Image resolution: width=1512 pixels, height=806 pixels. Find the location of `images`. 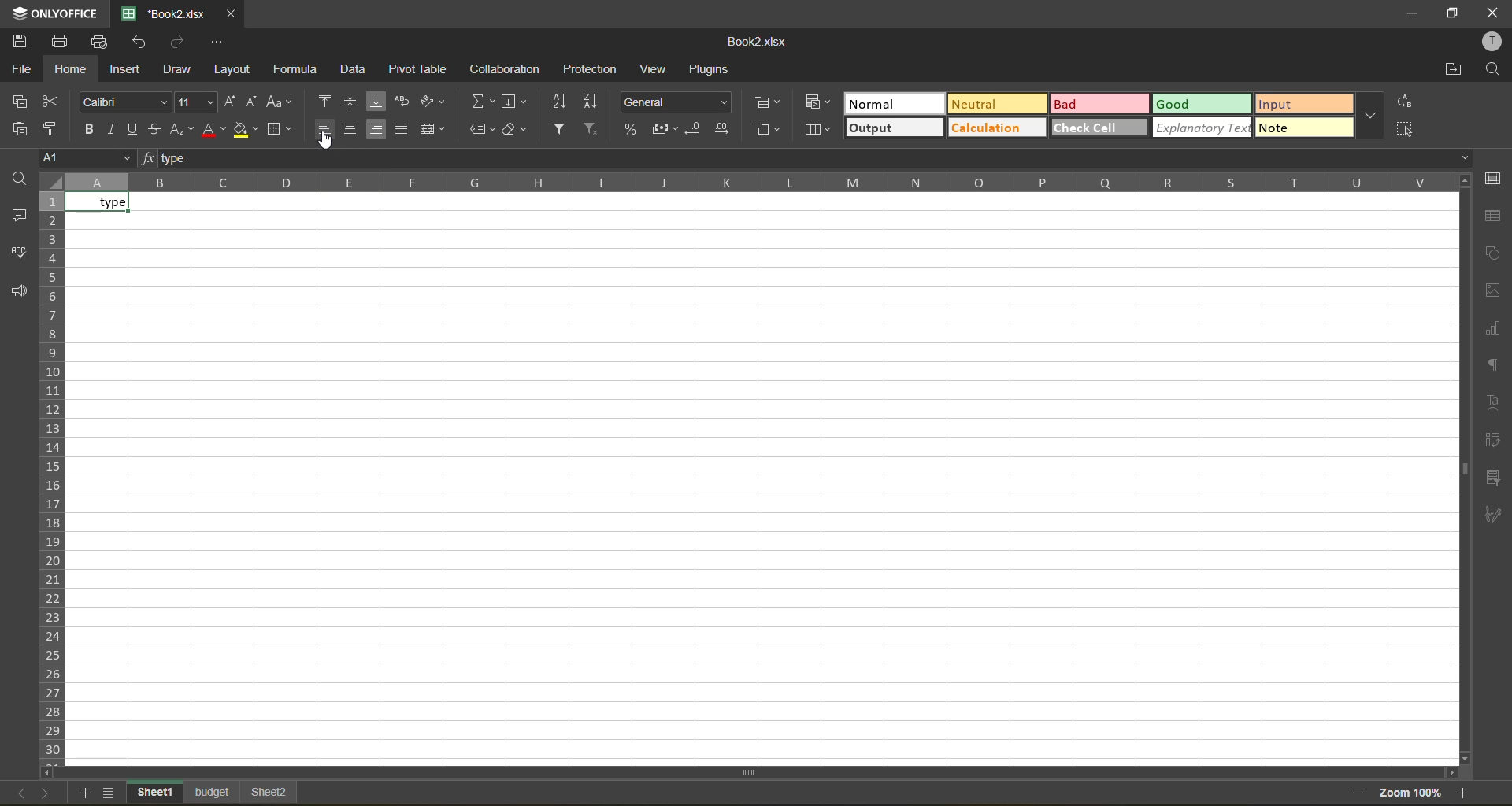

images is located at coordinates (1493, 292).